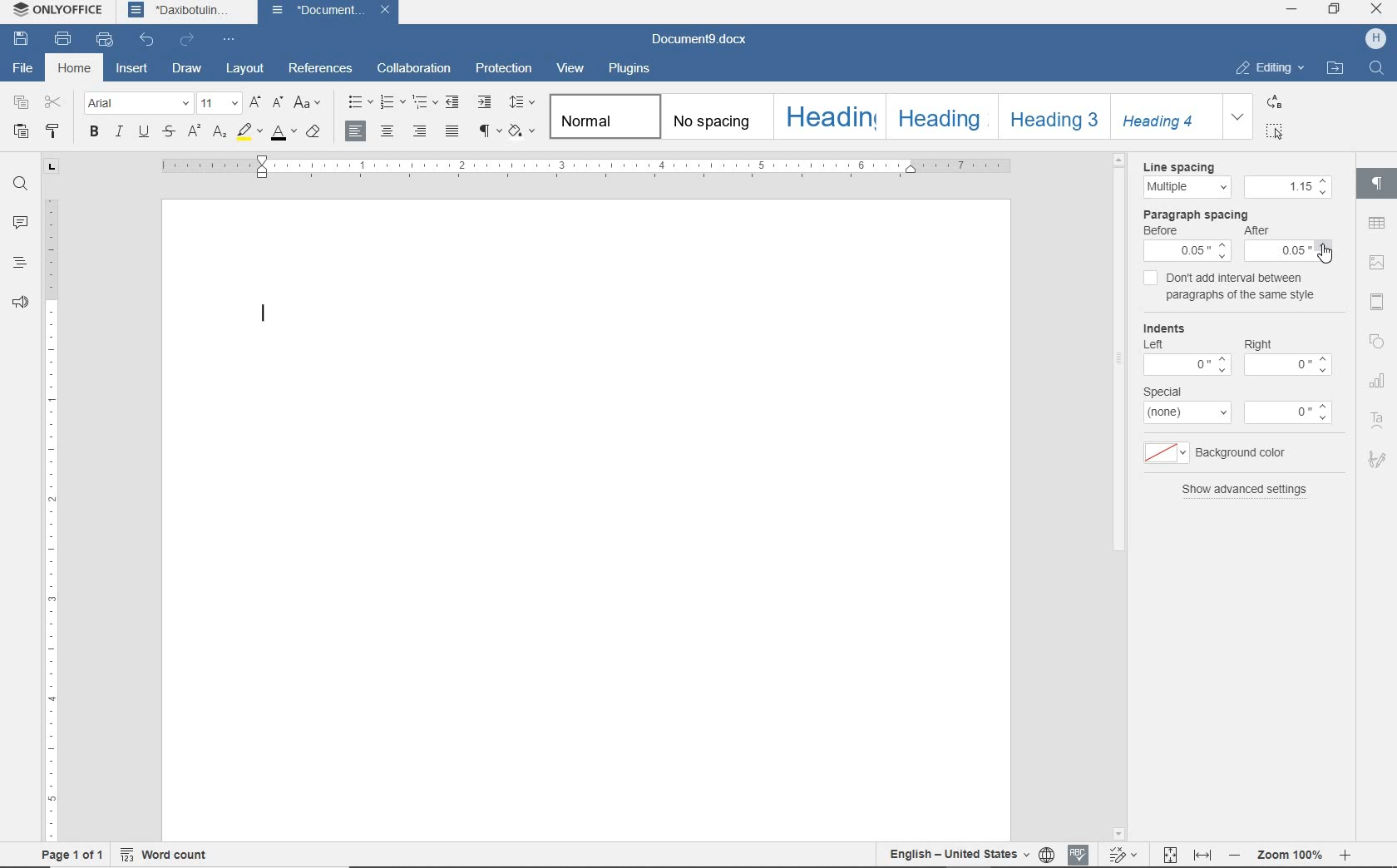 This screenshot has width=1397, height=868. I want to click on image, so click(1377, 263).